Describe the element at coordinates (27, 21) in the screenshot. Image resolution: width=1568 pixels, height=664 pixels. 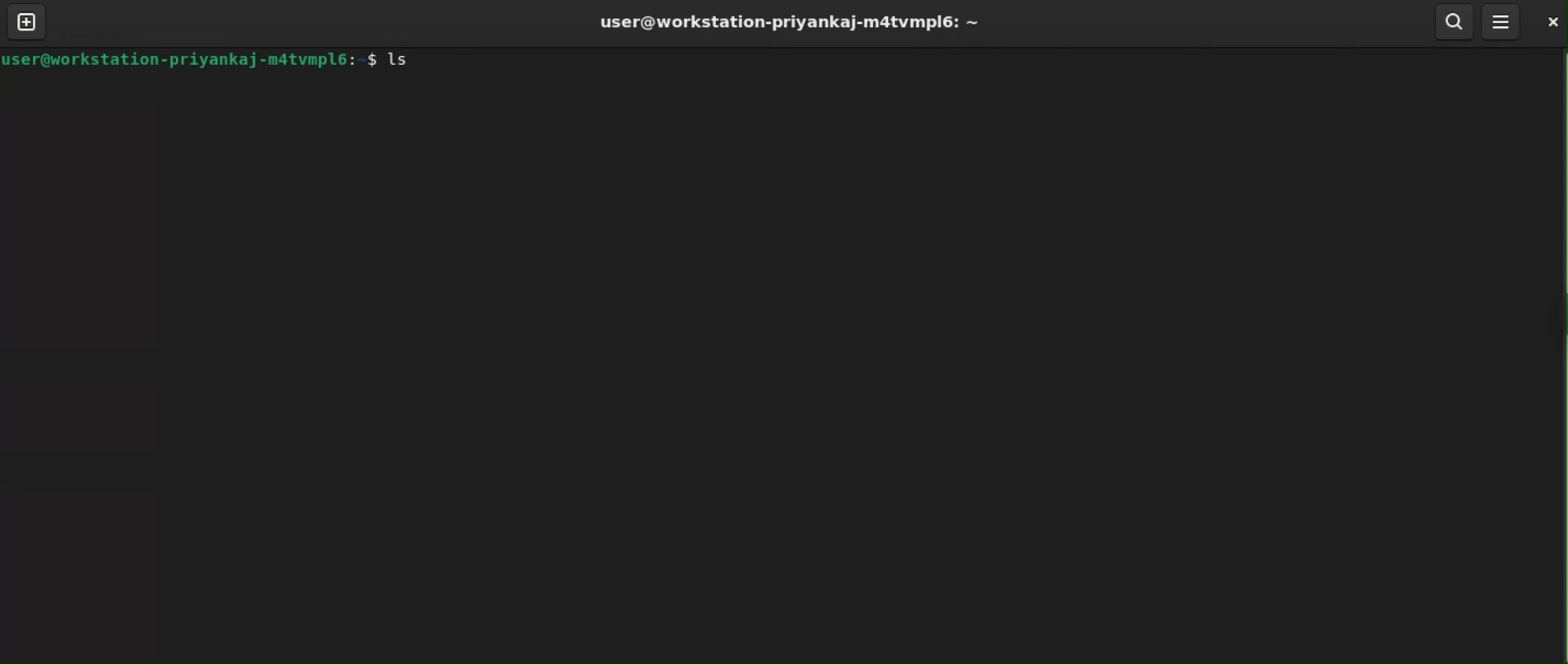
I see `new tab` at that location.